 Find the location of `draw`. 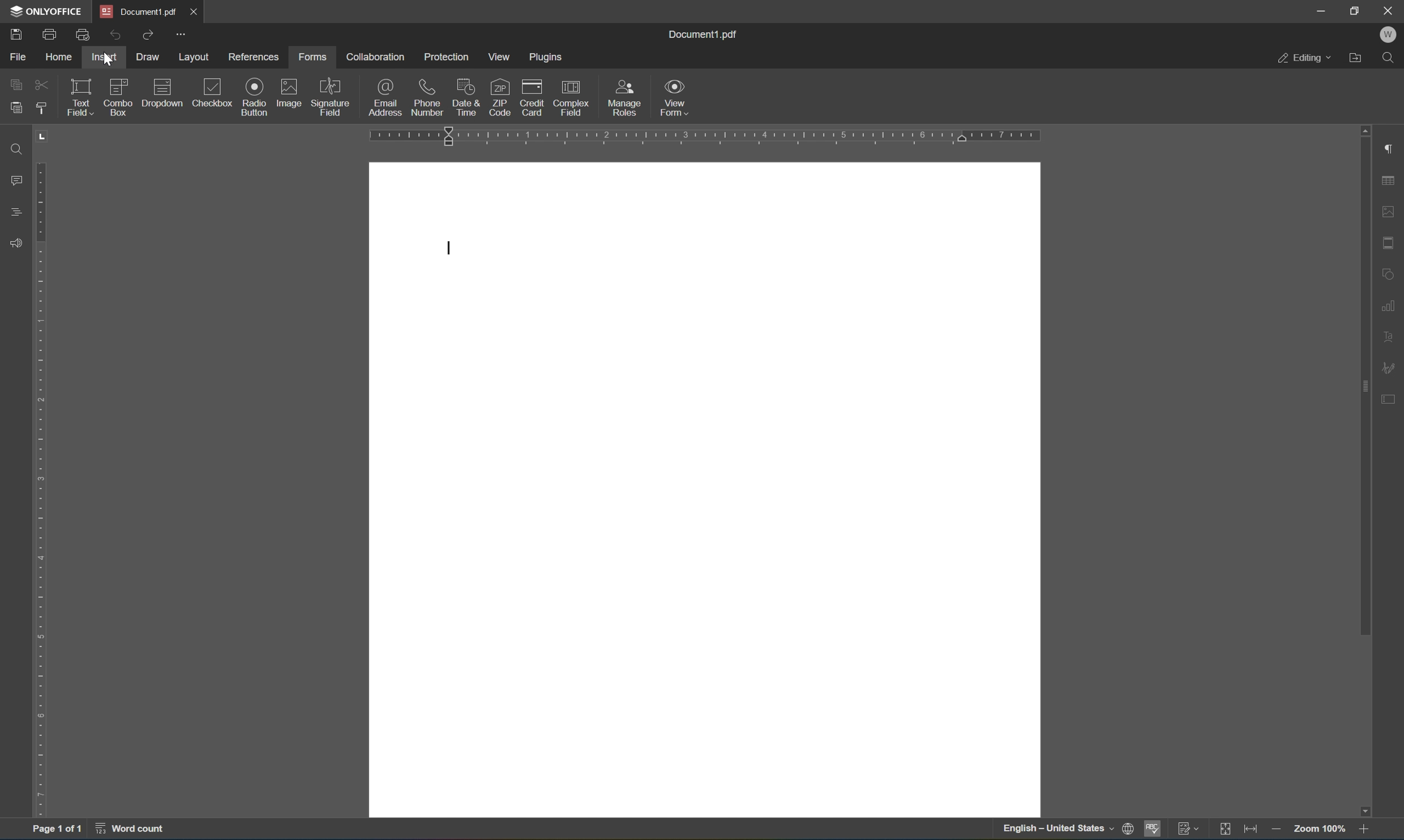

draw is located at coordinates (150, 55).